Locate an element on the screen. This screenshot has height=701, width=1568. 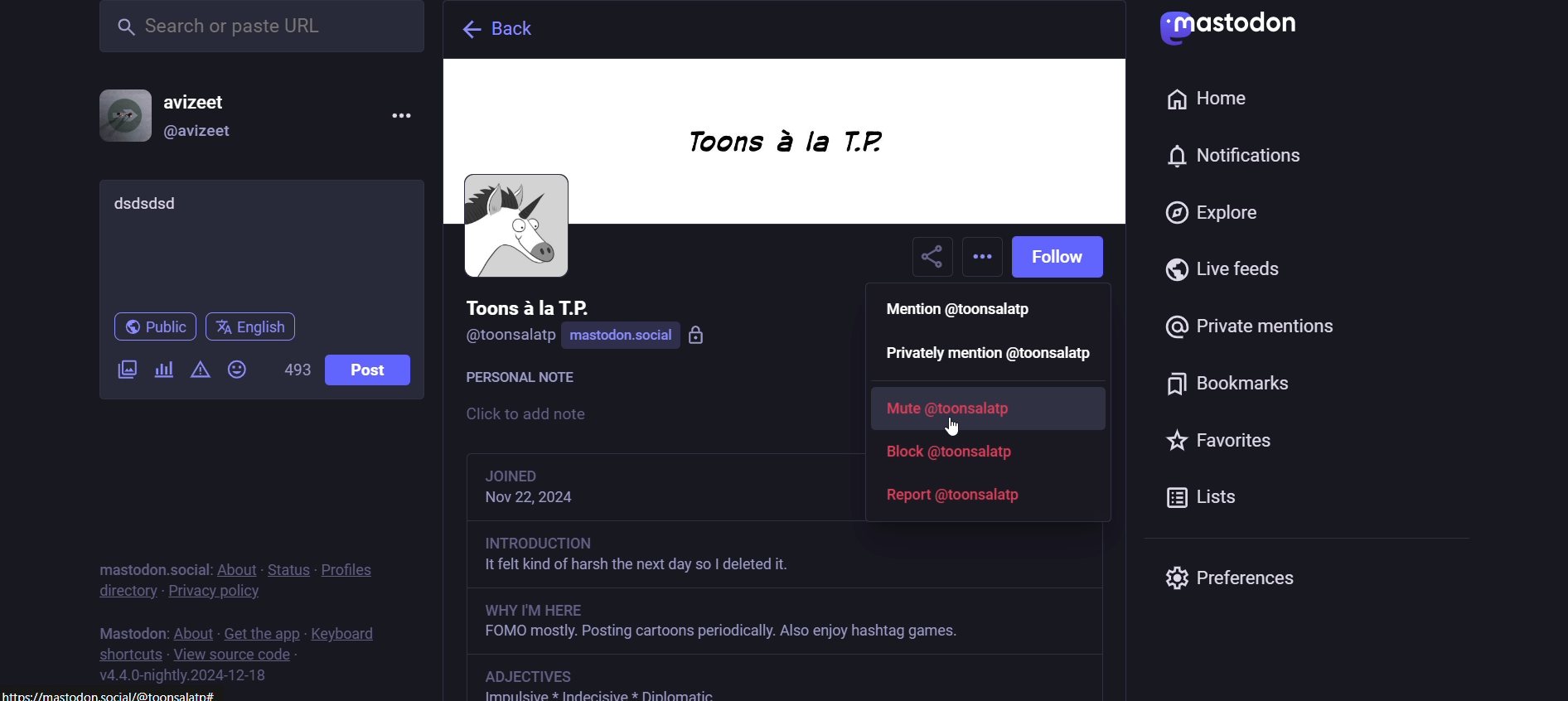
private mentions is located at coordinates (1250, 335).